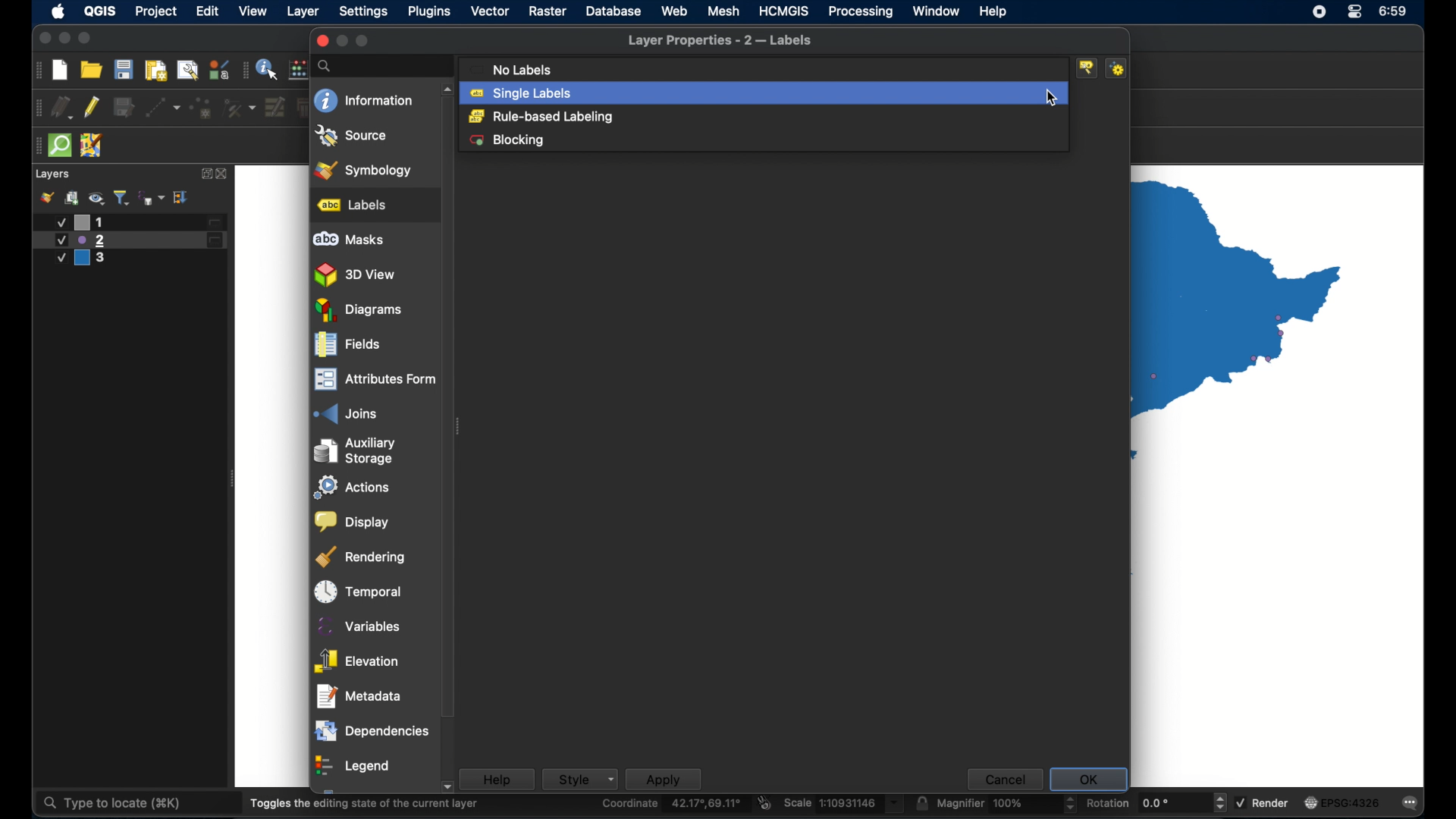 The height and width of the screenshot is (819, 1456). I want to click on drag handle, so click(36, 146).